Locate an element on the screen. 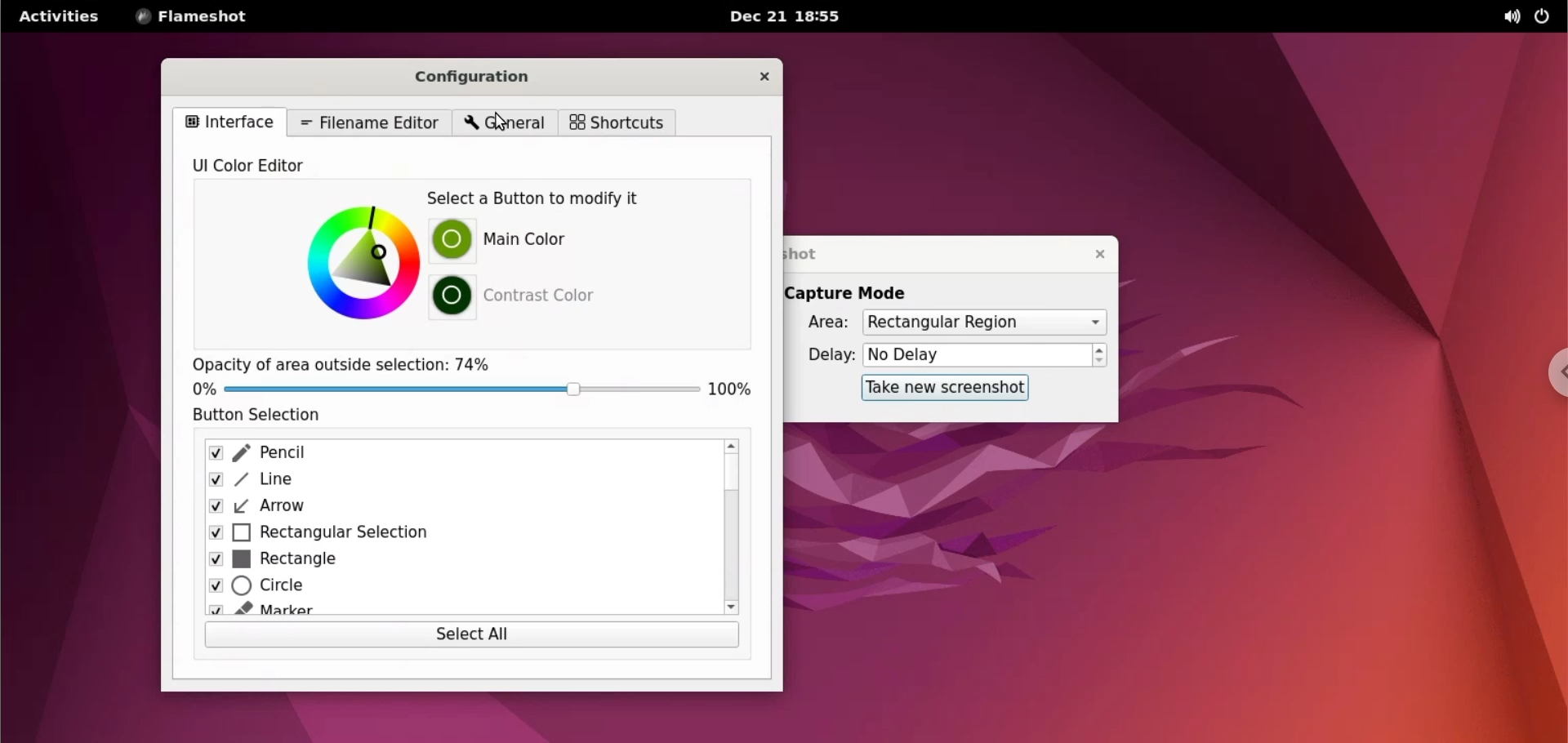  area is located at coordinates (817, 323).